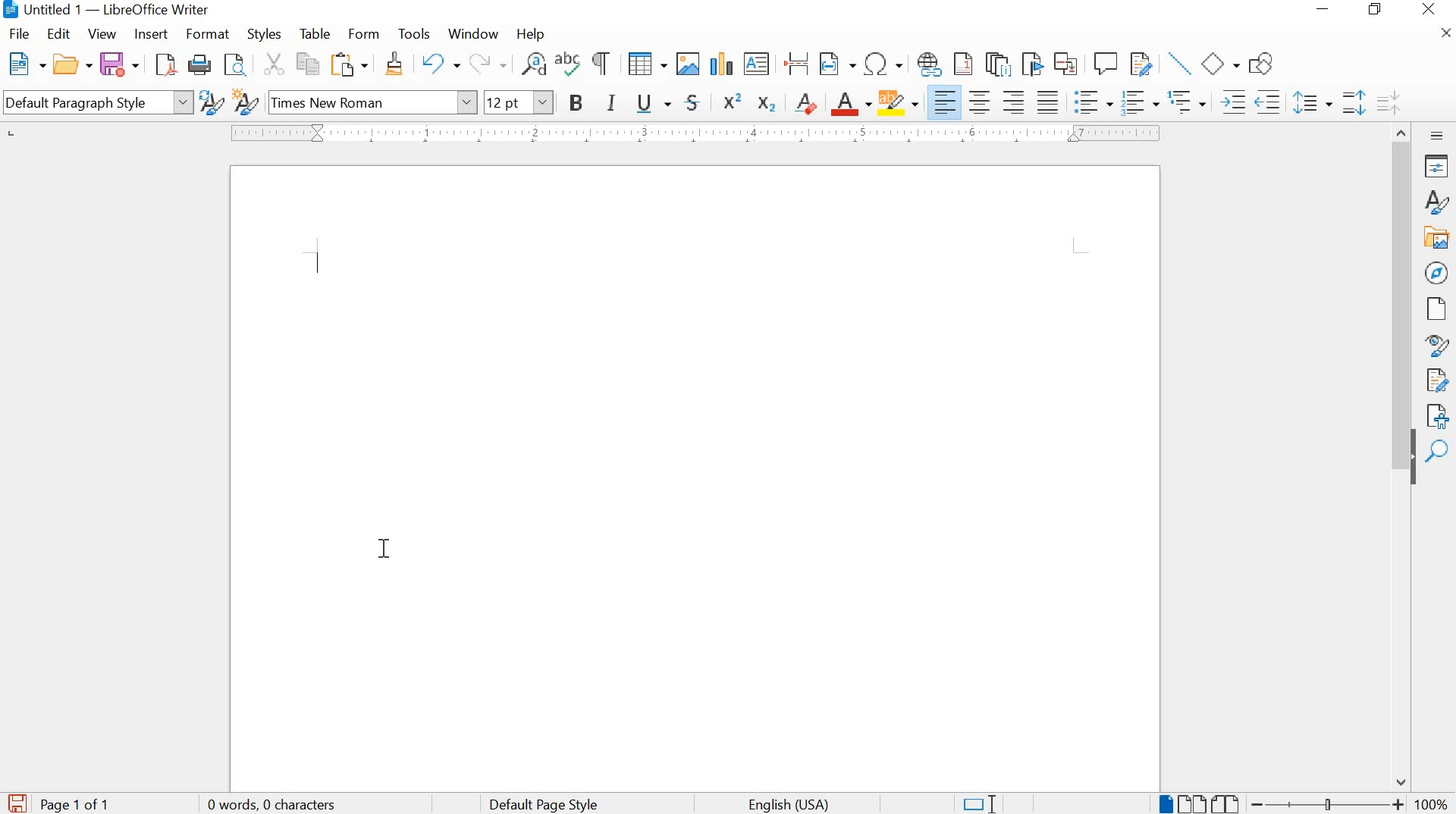  I want to click on REDO, so click(490, 64).